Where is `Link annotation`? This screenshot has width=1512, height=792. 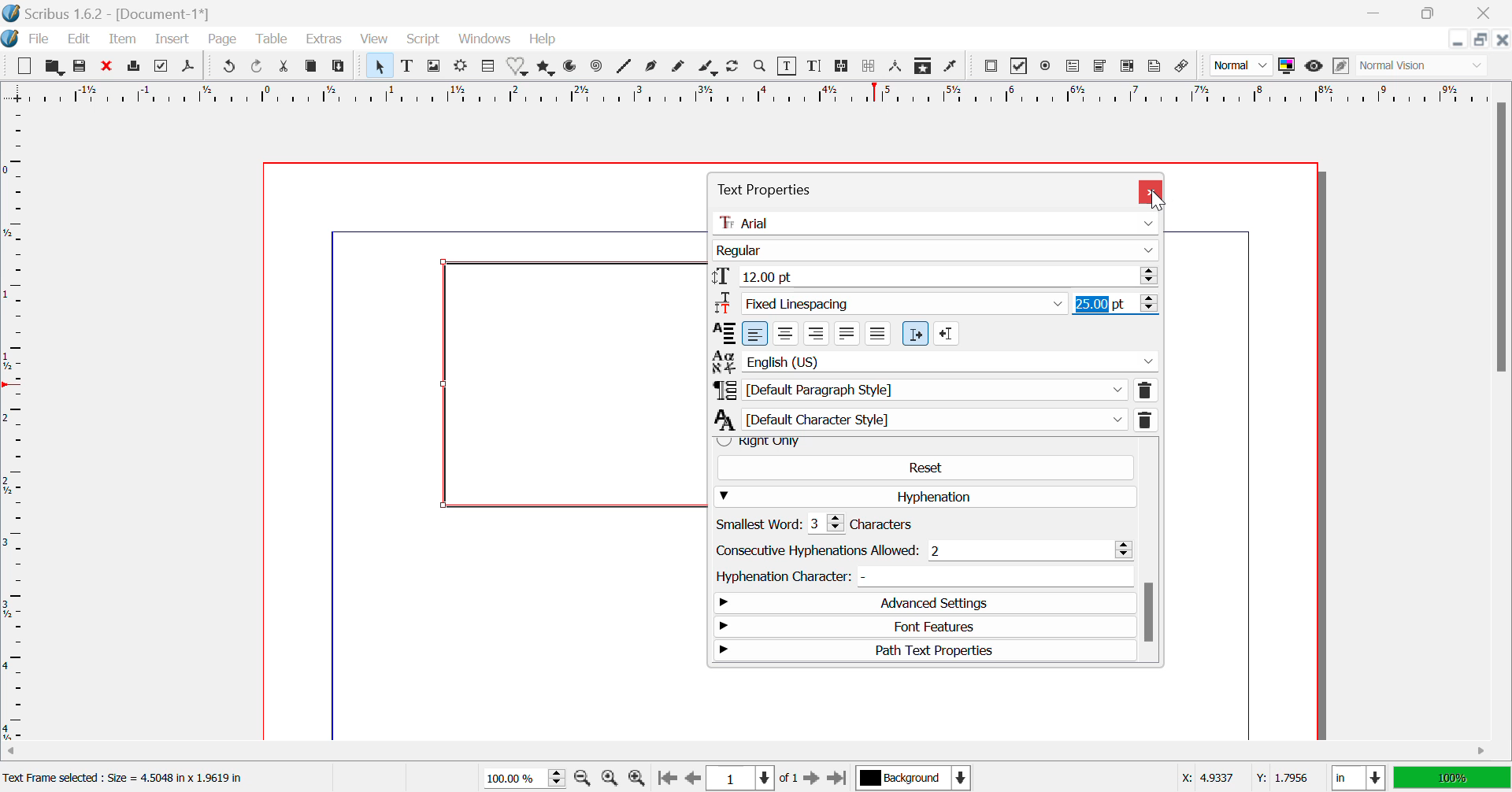
Link annotation is located at coordinates (1185, 67).